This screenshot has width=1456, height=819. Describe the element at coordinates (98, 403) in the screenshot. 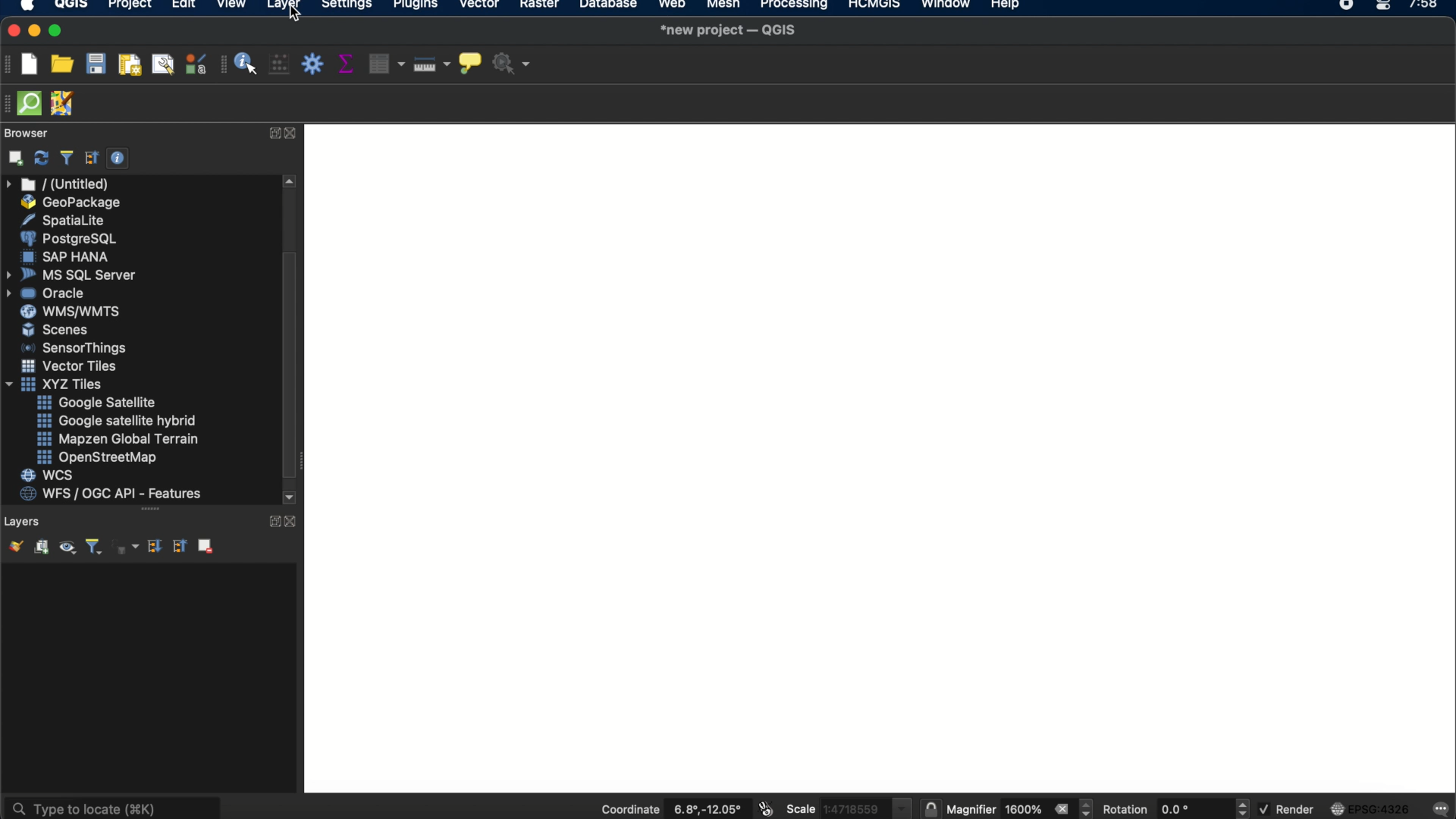

I see `google satellite` at that location.